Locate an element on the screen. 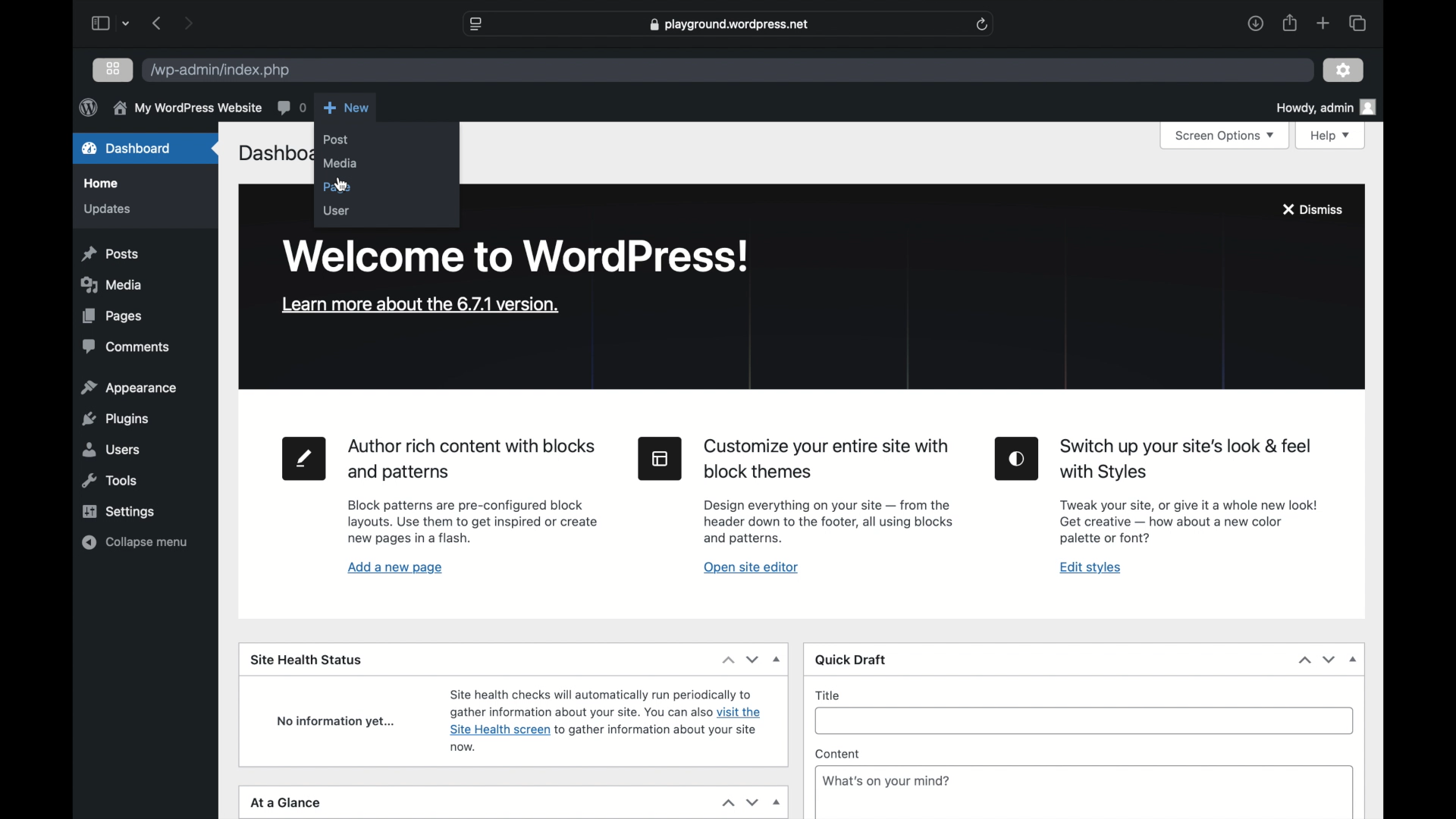 The width and height of the screenshot is (1456, 819). grid view is located at coordinates (115, 69).